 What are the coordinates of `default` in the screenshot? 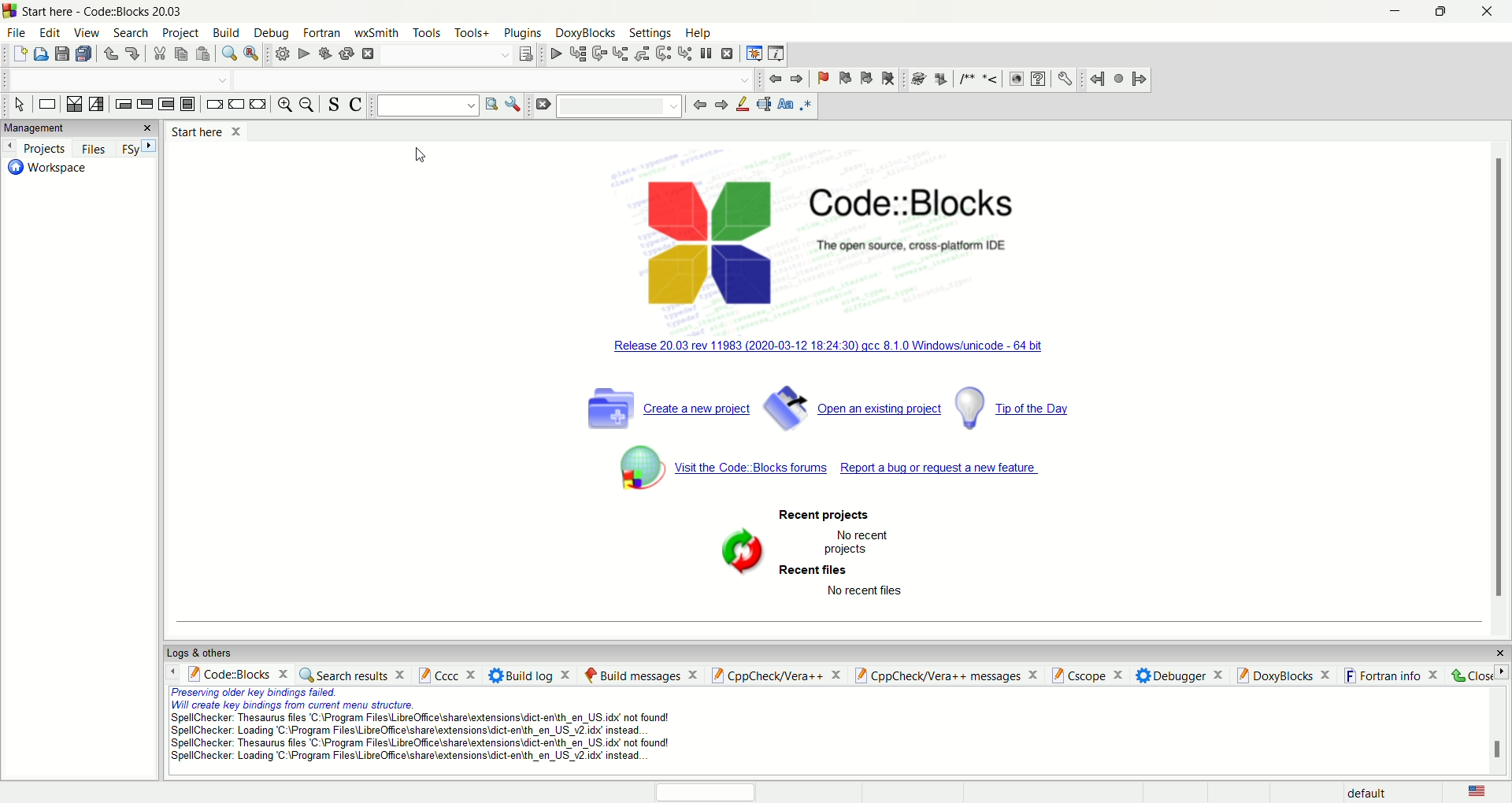 It's located at (1376, 792).